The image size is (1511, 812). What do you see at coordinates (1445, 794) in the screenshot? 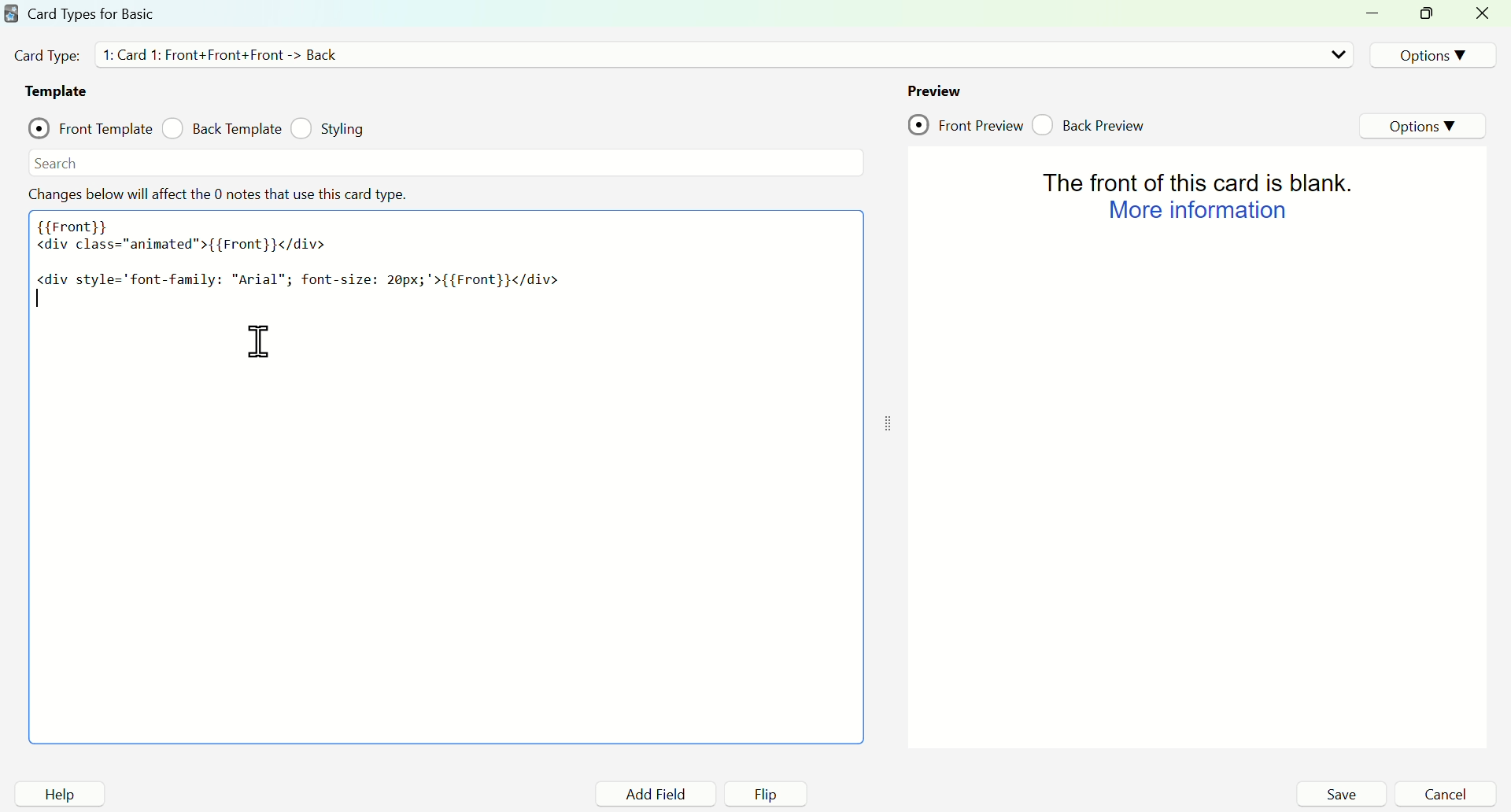
I see `cancel` at bounding box center [1445, 794].